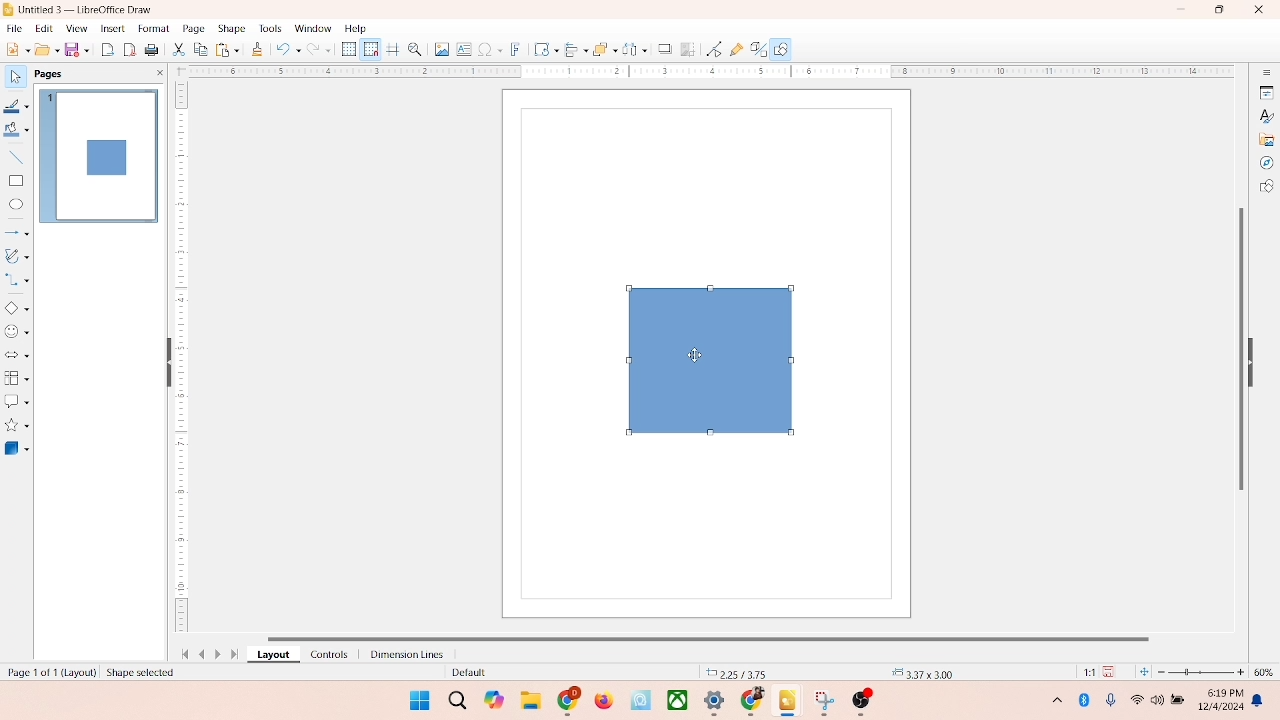  Describe the element at coordinates (16, 180) in the screenshot. I see `rectangle` at that location.